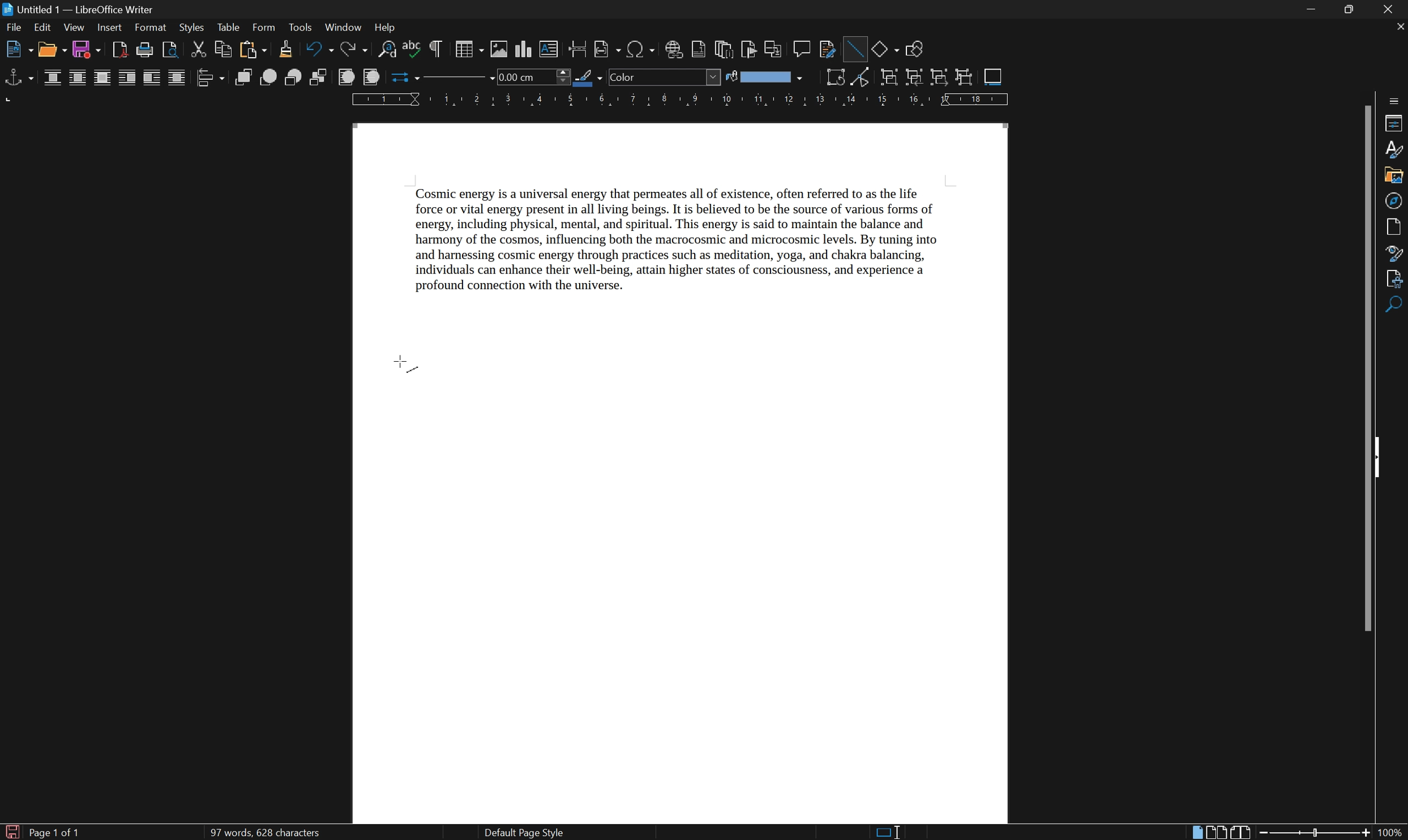  Describe the element at coordinates (1394, 149) in the screenshot. I see `styles` at that location.